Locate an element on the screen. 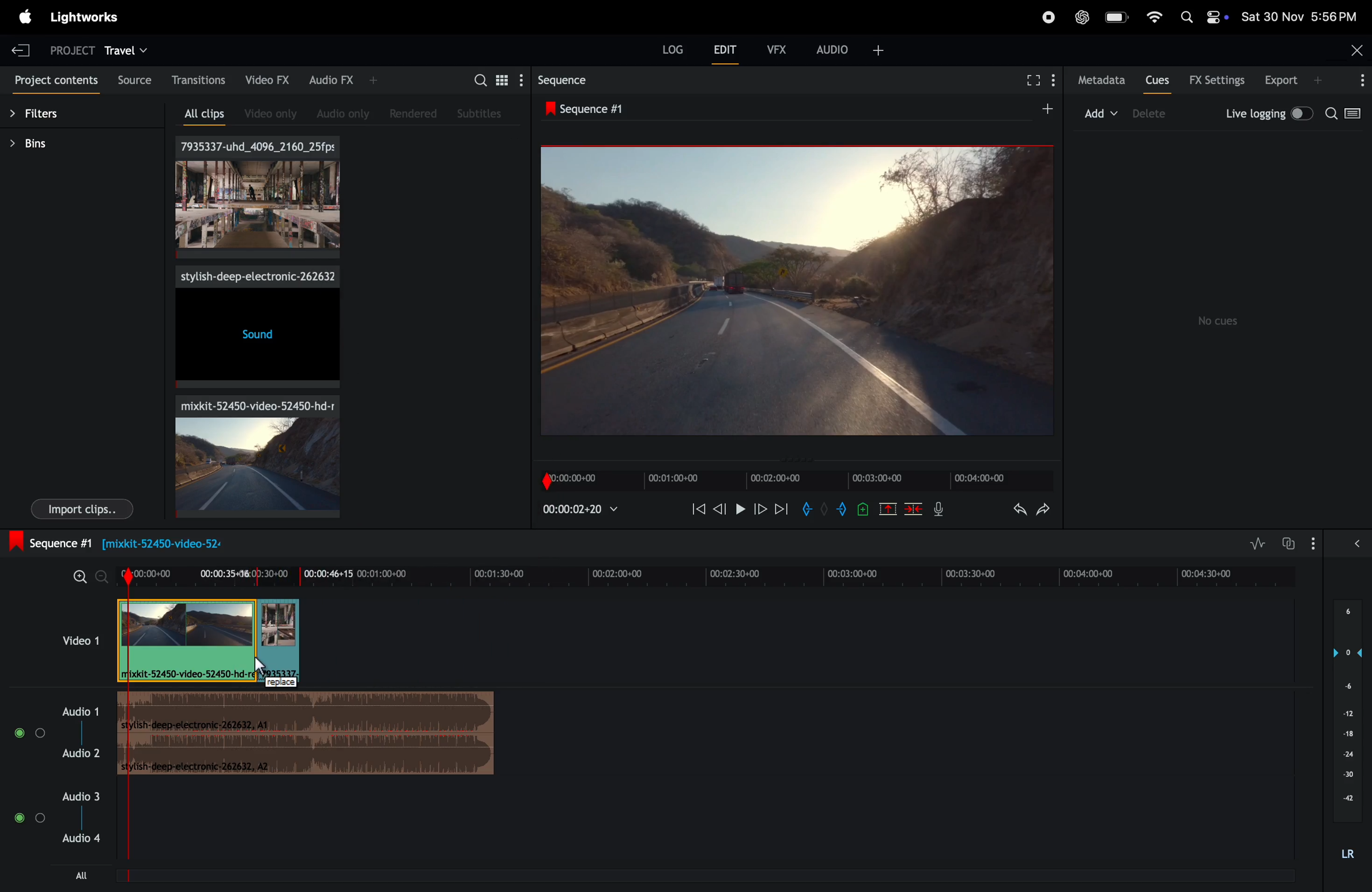 This screenshot has height=892, width=1372. search is located at coordinates (488, 79).